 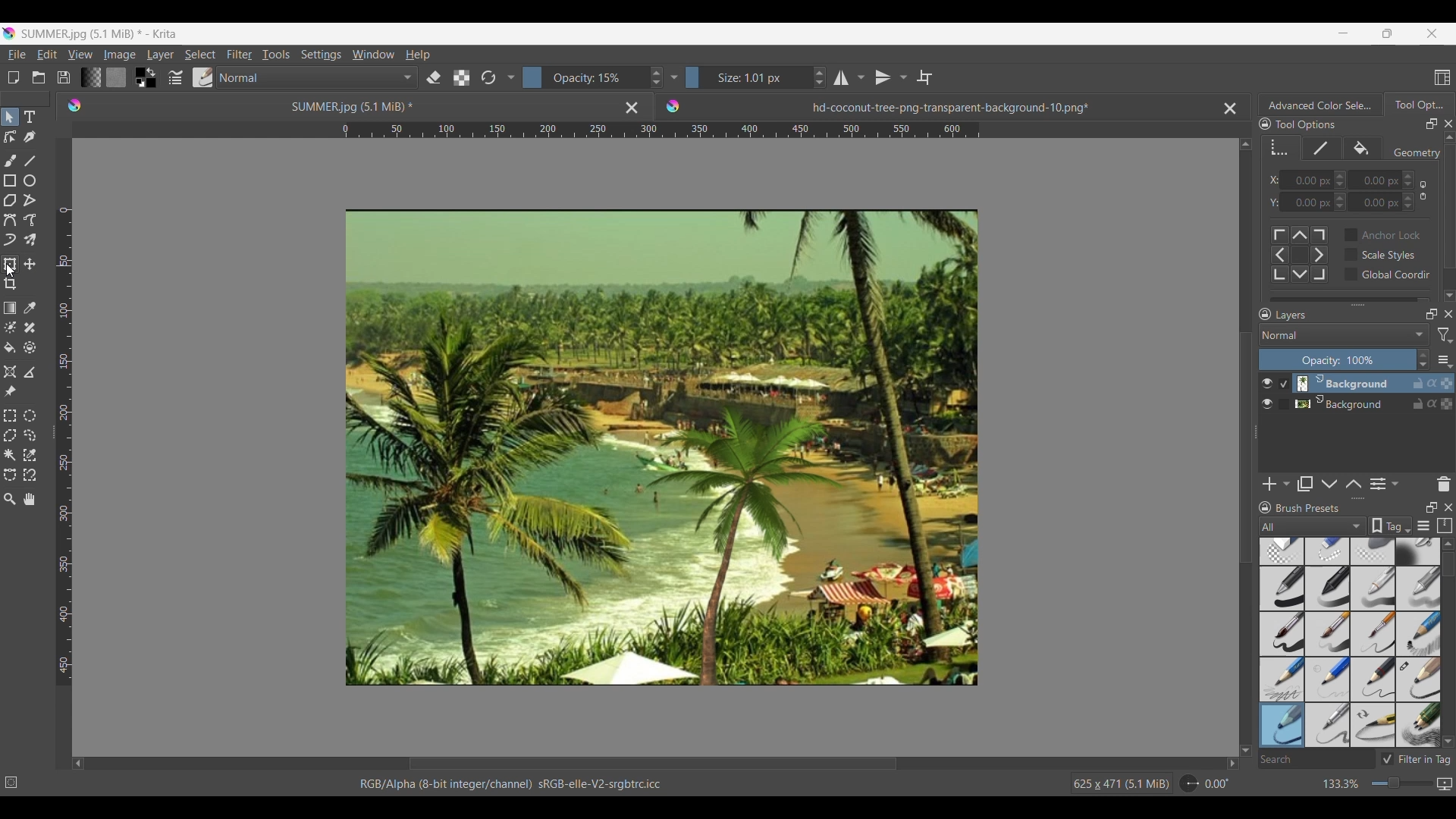 What do you see at coordinates (1445, 483) in the screenshot?
I see `Delete layer/mask` at bounding box center [1445, 483].